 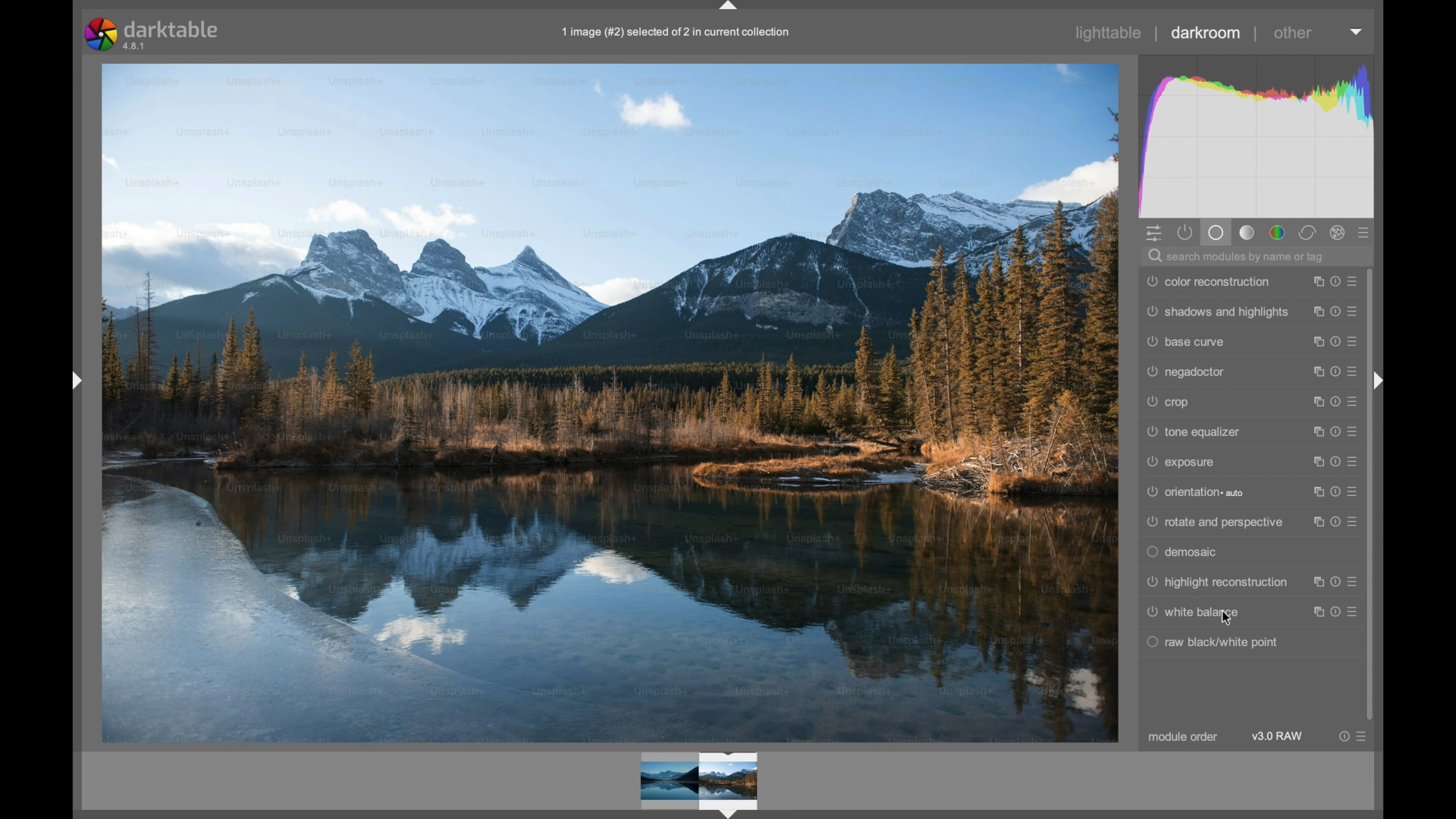 I want to click on instance, so click(x=1316, y=522).